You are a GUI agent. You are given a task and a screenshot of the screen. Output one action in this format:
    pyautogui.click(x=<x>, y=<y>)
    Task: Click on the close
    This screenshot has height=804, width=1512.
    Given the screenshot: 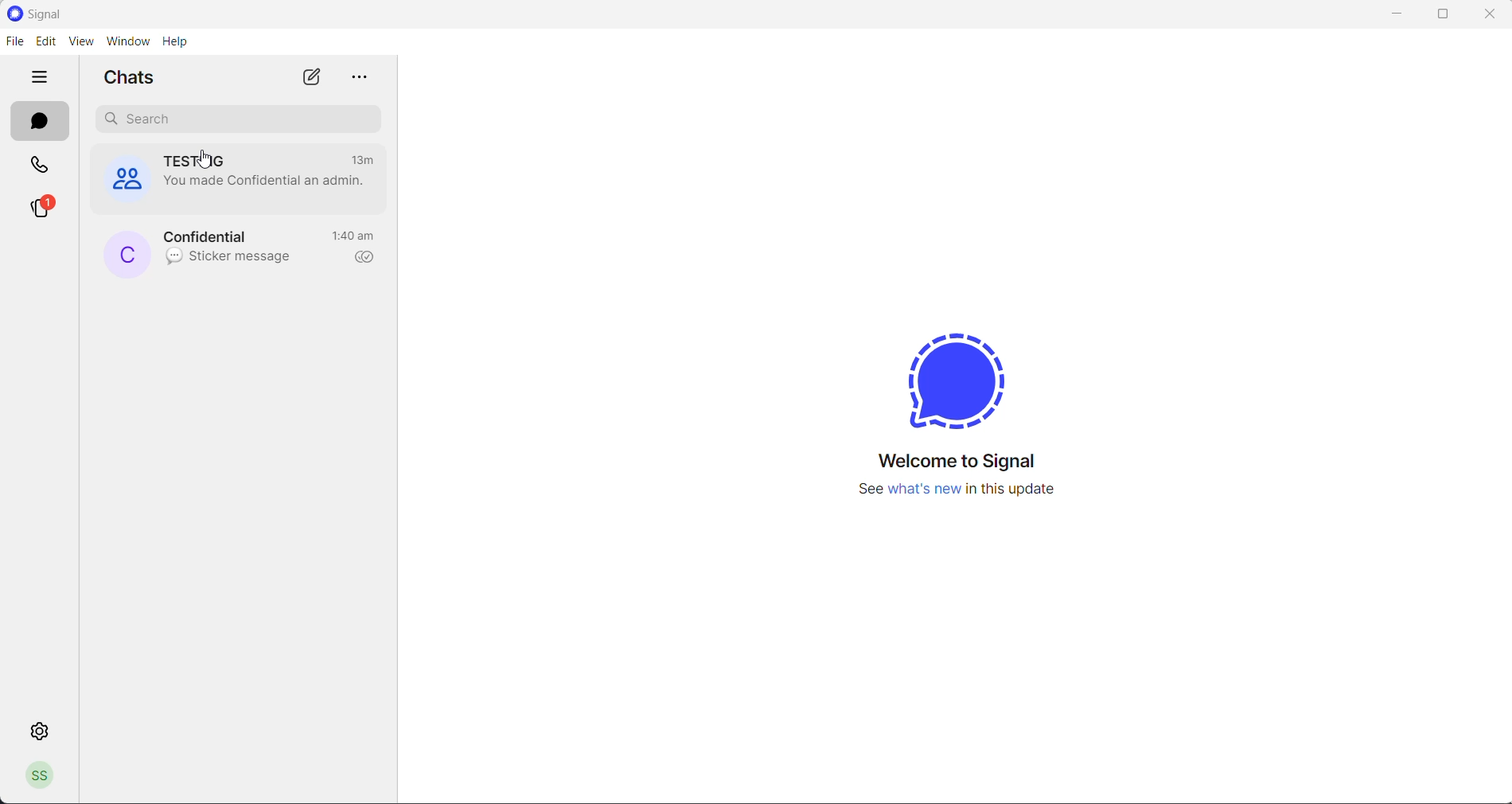 What is the action you would take?
    pyautogui.click(x=1494, y=15)
    